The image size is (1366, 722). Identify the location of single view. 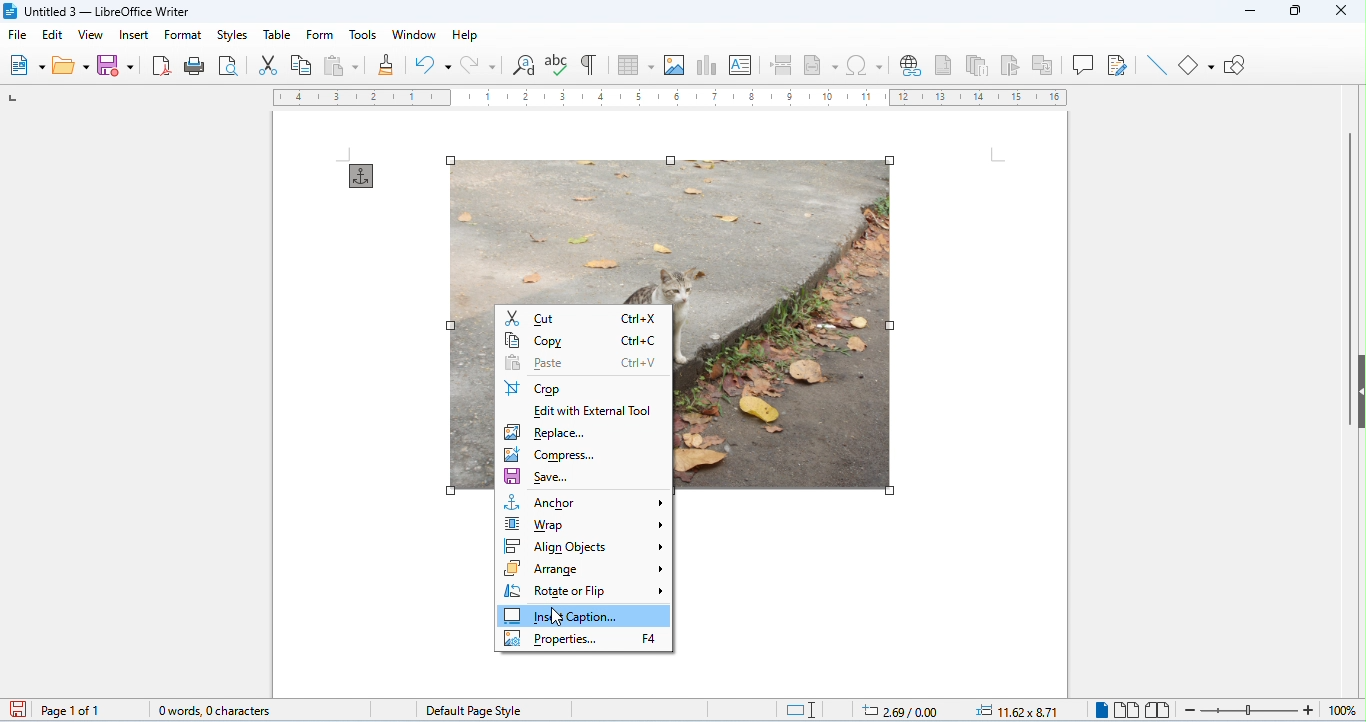
(1099, 710).